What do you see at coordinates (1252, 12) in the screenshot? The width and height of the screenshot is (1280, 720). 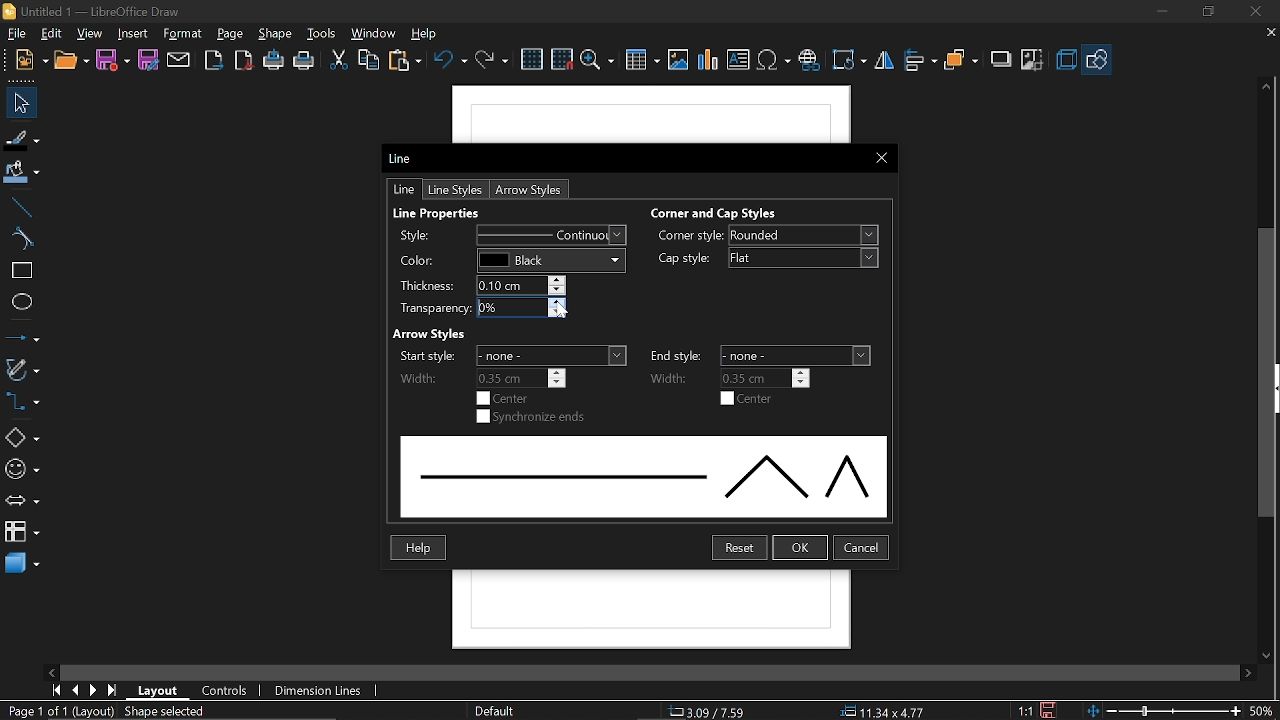 I see `close` at bounding box center [1252, 12].